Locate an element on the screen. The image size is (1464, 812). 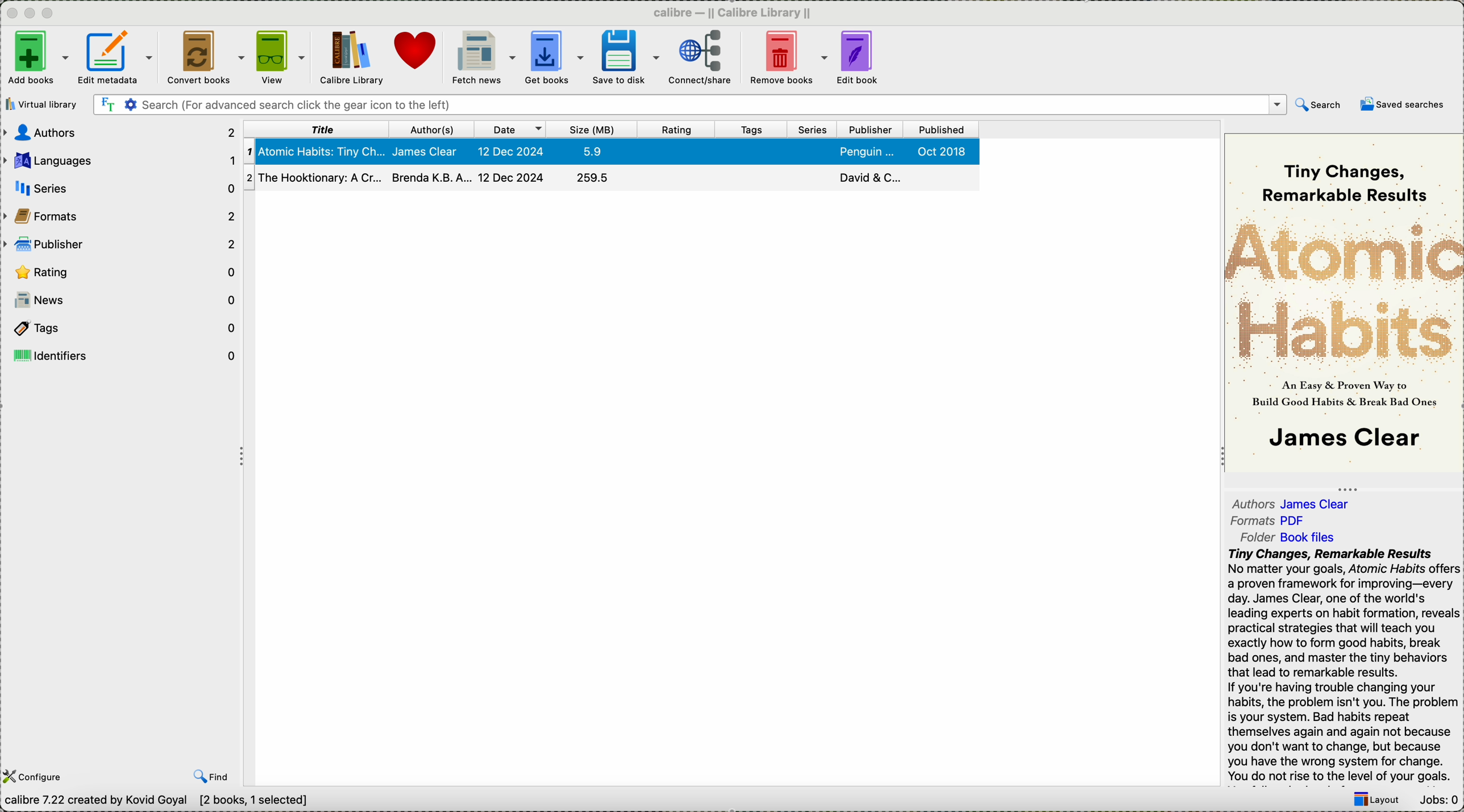
formats is located at coordinates (1271, 522).